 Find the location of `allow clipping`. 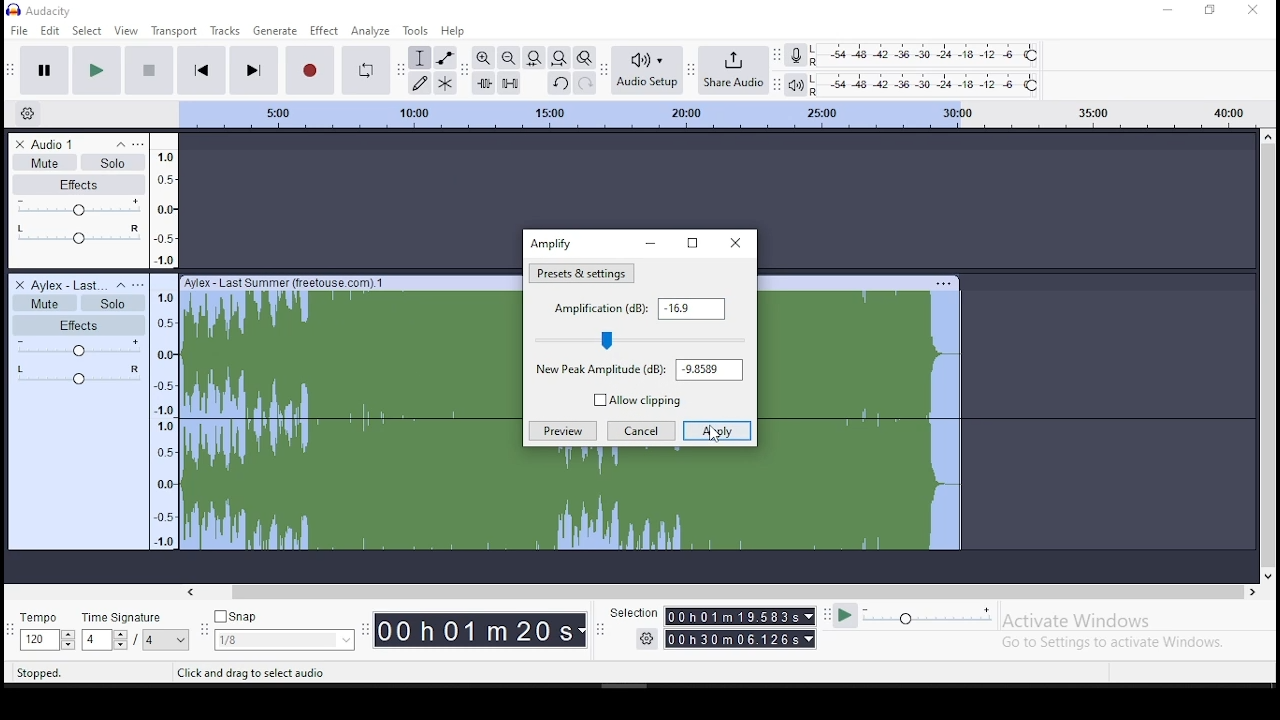

allow clipping is located at coordinates (641, 399).